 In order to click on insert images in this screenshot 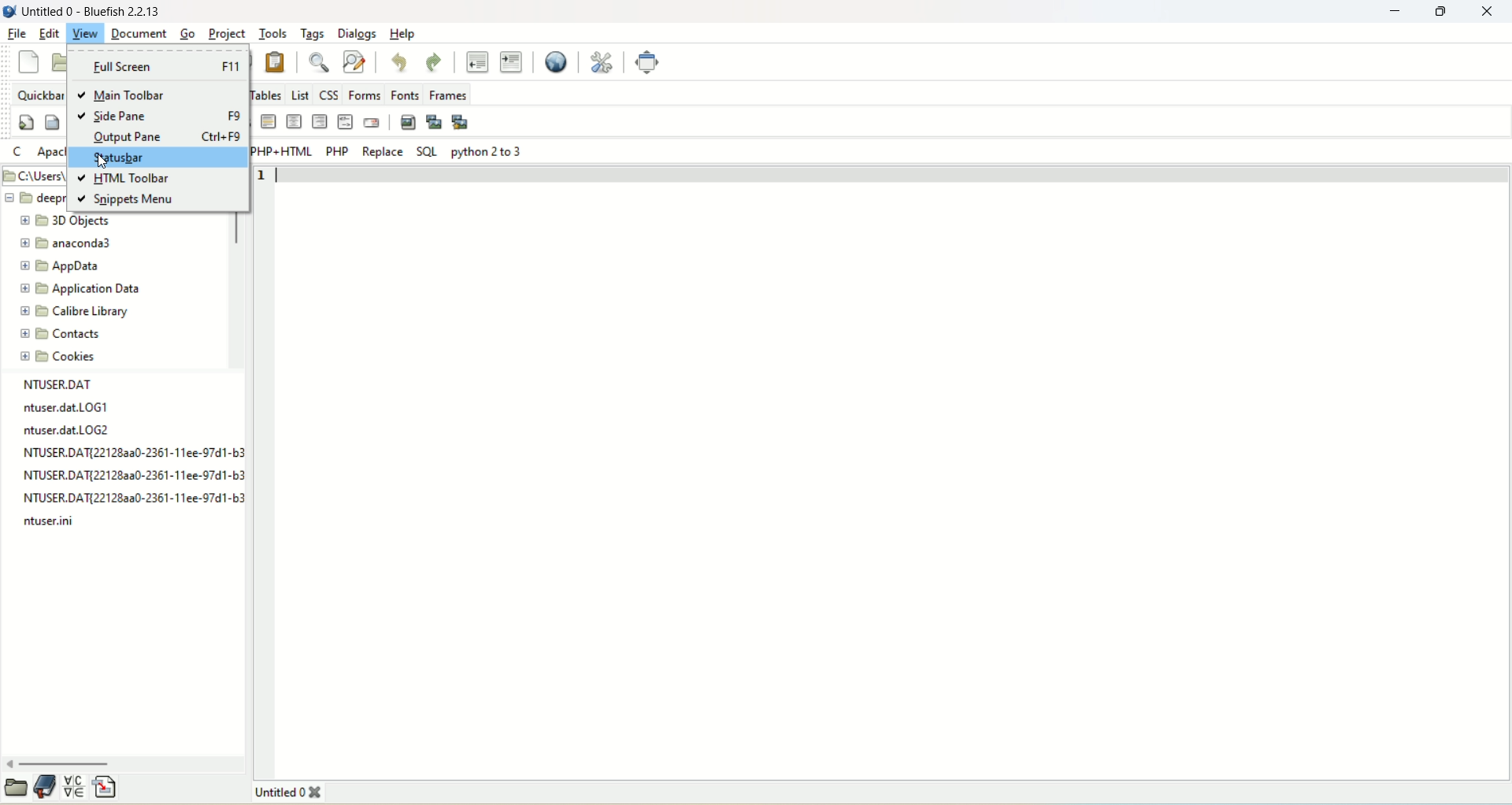, I will do `click(407, 121)`.